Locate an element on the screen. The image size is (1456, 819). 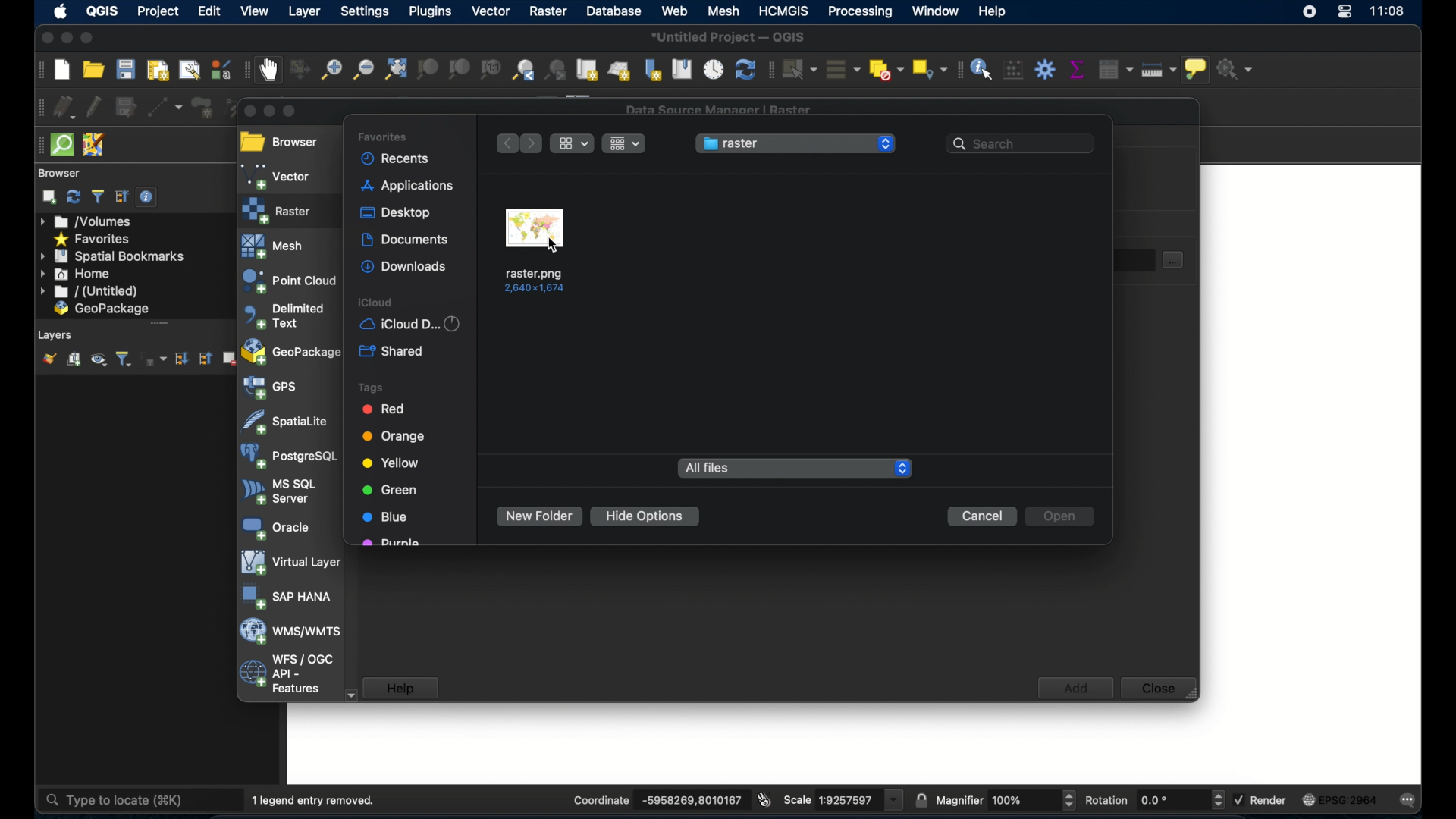
oracle is located at coordinates (280, 527).